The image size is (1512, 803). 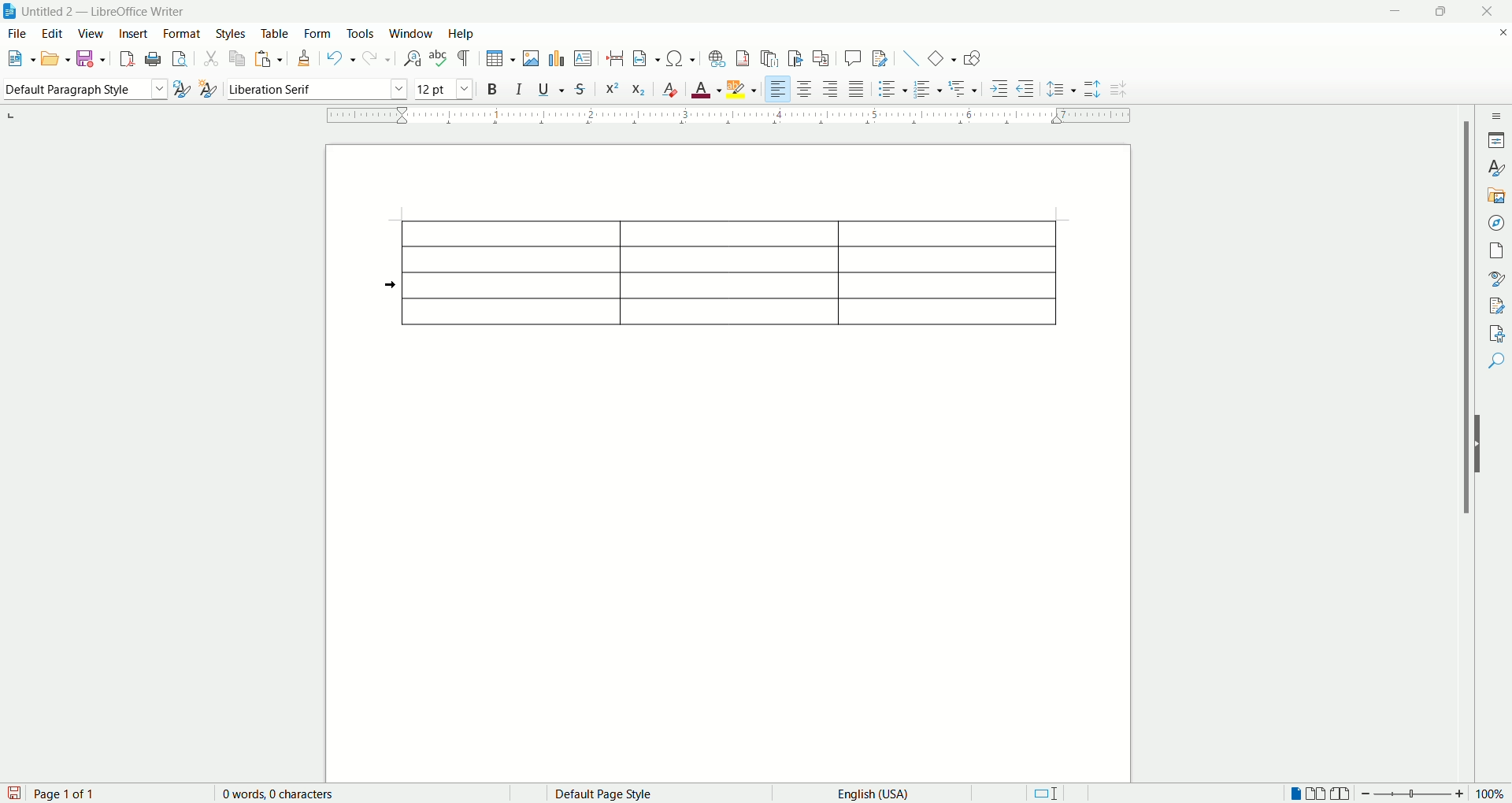 What do you see at coordinates (1496, 117) in the screenshot?
I see `sidebar` at bounding box center [1496, 117].